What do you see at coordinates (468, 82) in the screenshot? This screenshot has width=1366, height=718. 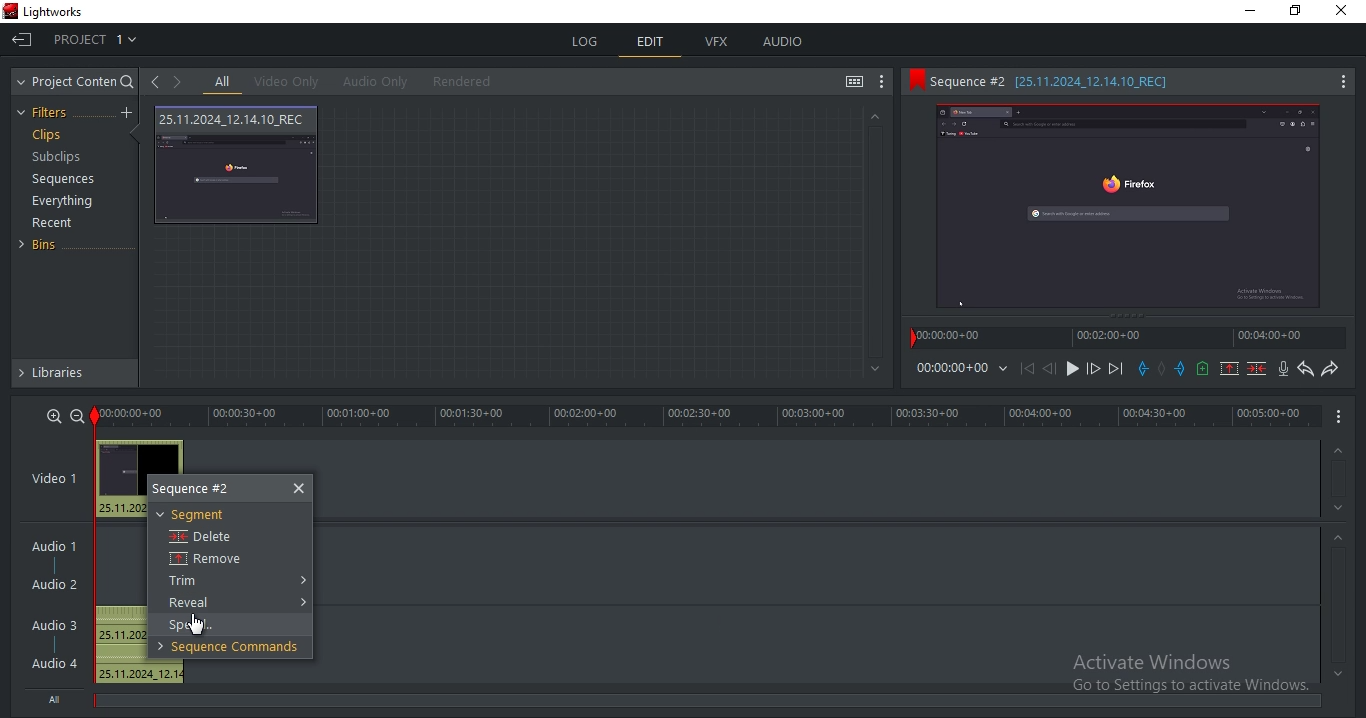 I see `rendered ` at bounding box center [468, 82].